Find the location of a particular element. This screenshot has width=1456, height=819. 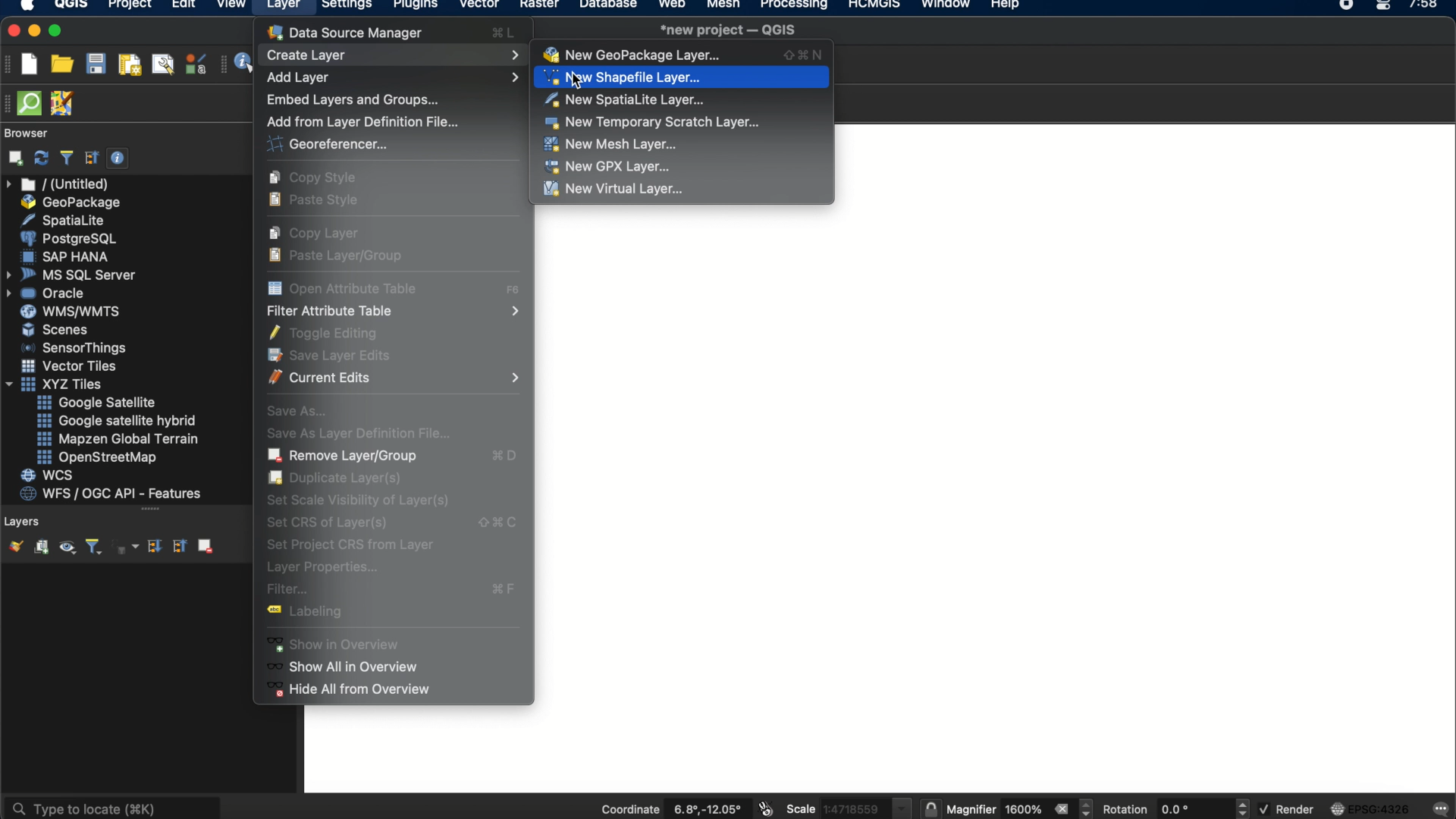

settings is located at coordinates (346, 7).